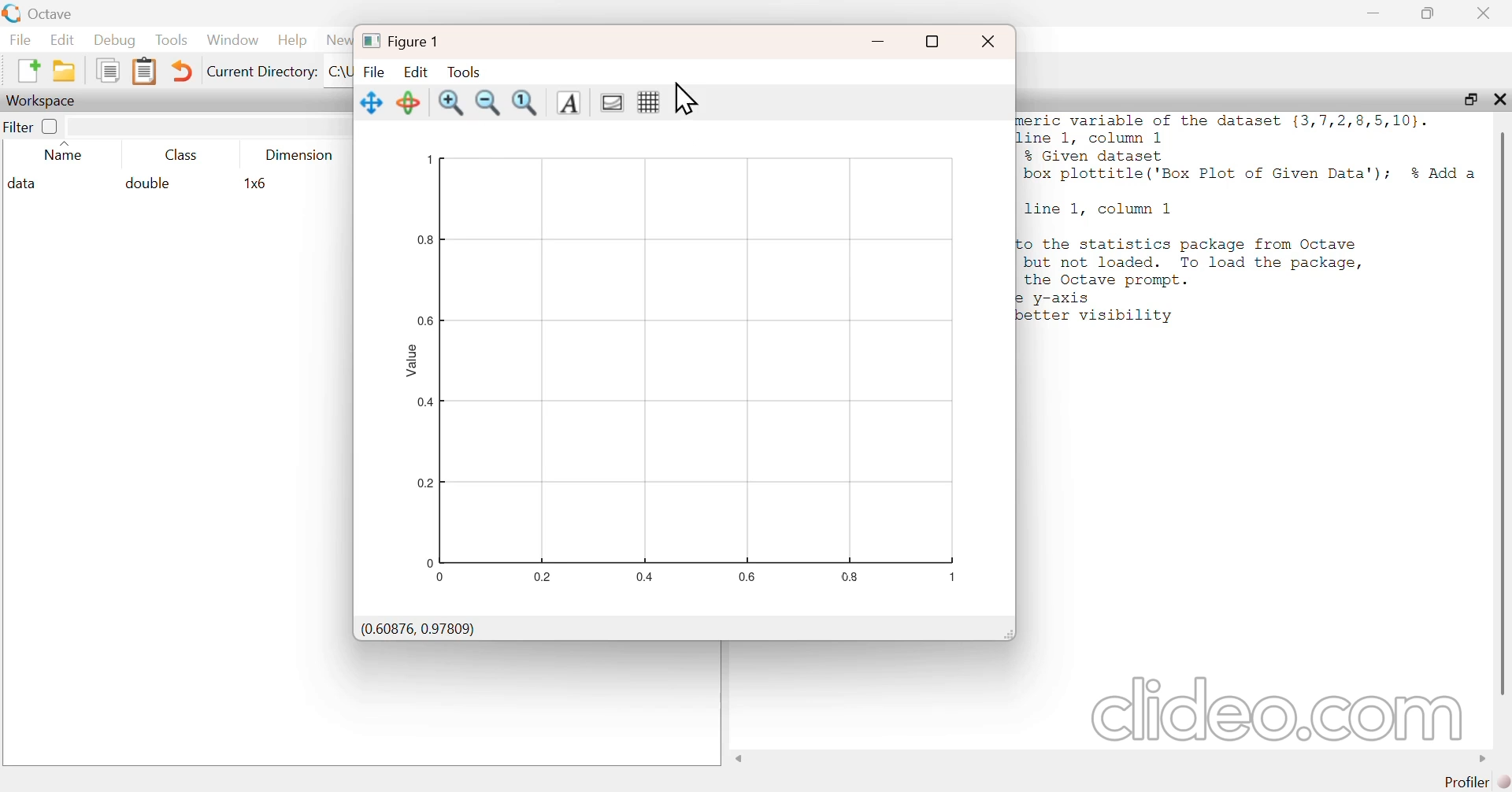  Describe the element at coordinates (569, 103) in the screenshot. I see `text tool` at that location.